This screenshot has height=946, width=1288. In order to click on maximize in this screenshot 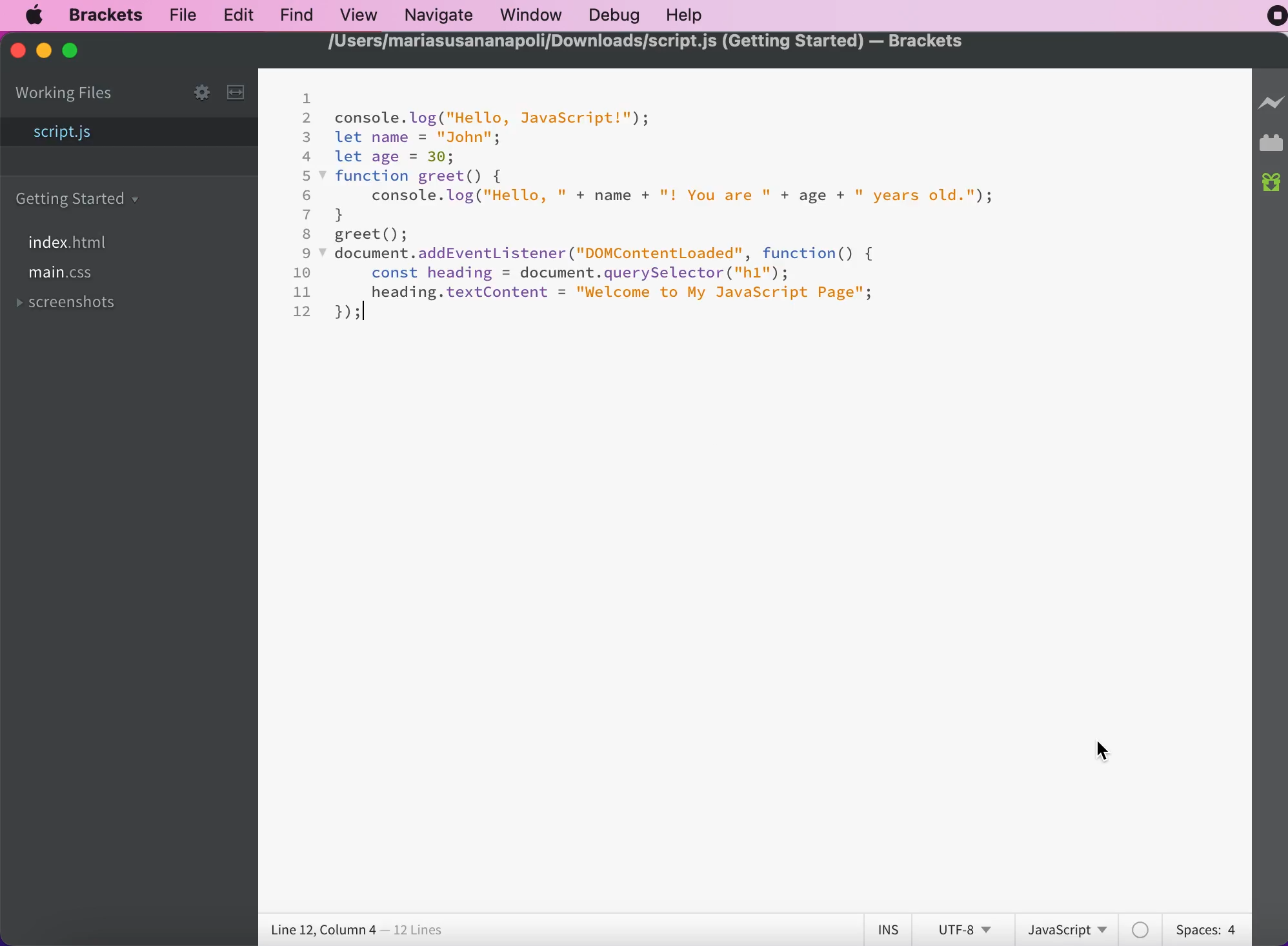, I will do `click(79, 52)`.